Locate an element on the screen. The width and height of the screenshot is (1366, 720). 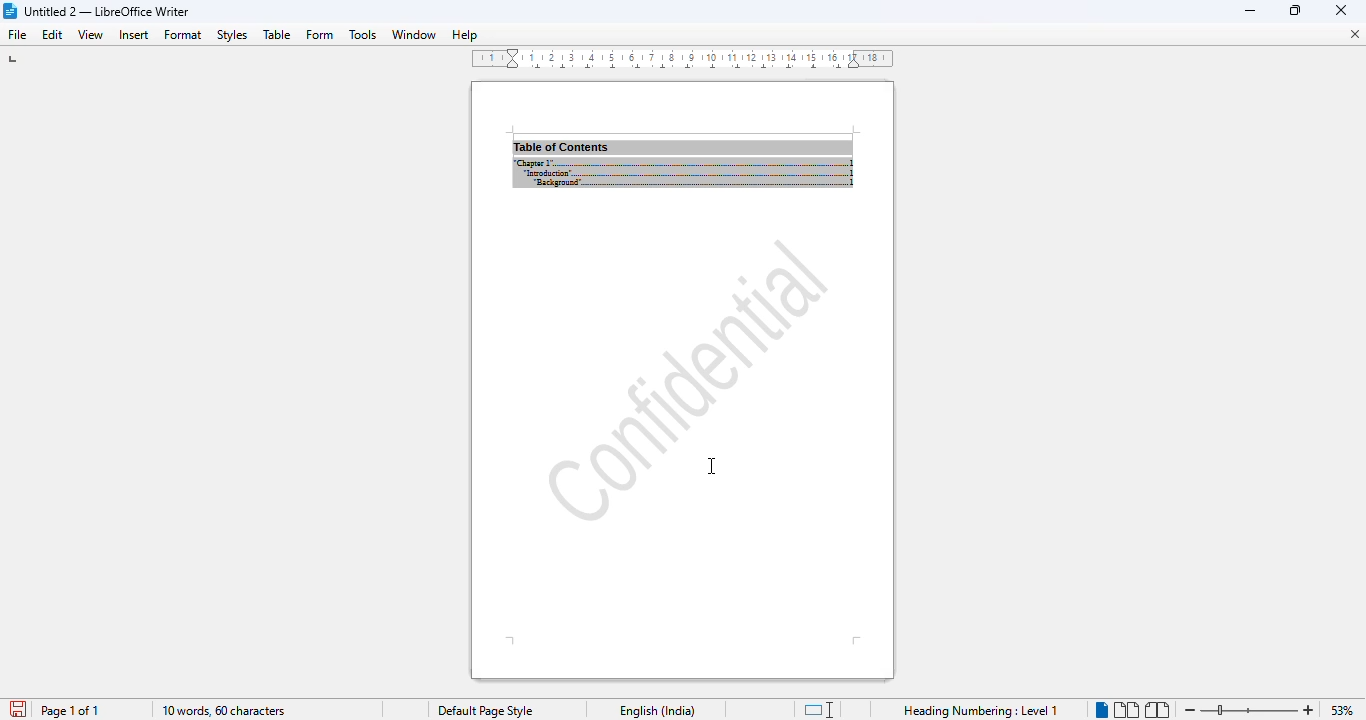
heading numbering: level 1 is located at coordinates (982, 711).